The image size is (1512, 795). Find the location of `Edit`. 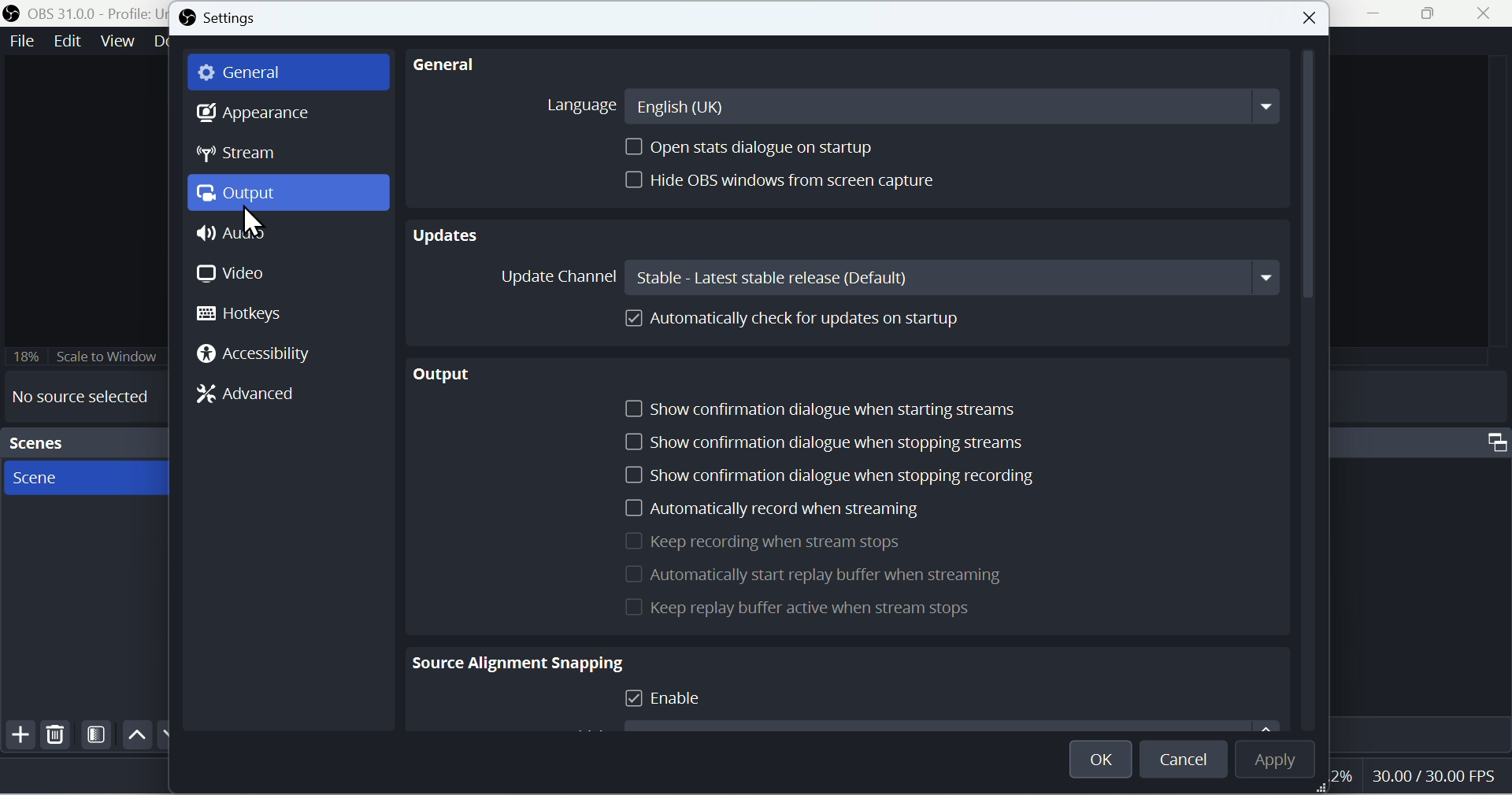

Edit is located at coordinates (66, 43).